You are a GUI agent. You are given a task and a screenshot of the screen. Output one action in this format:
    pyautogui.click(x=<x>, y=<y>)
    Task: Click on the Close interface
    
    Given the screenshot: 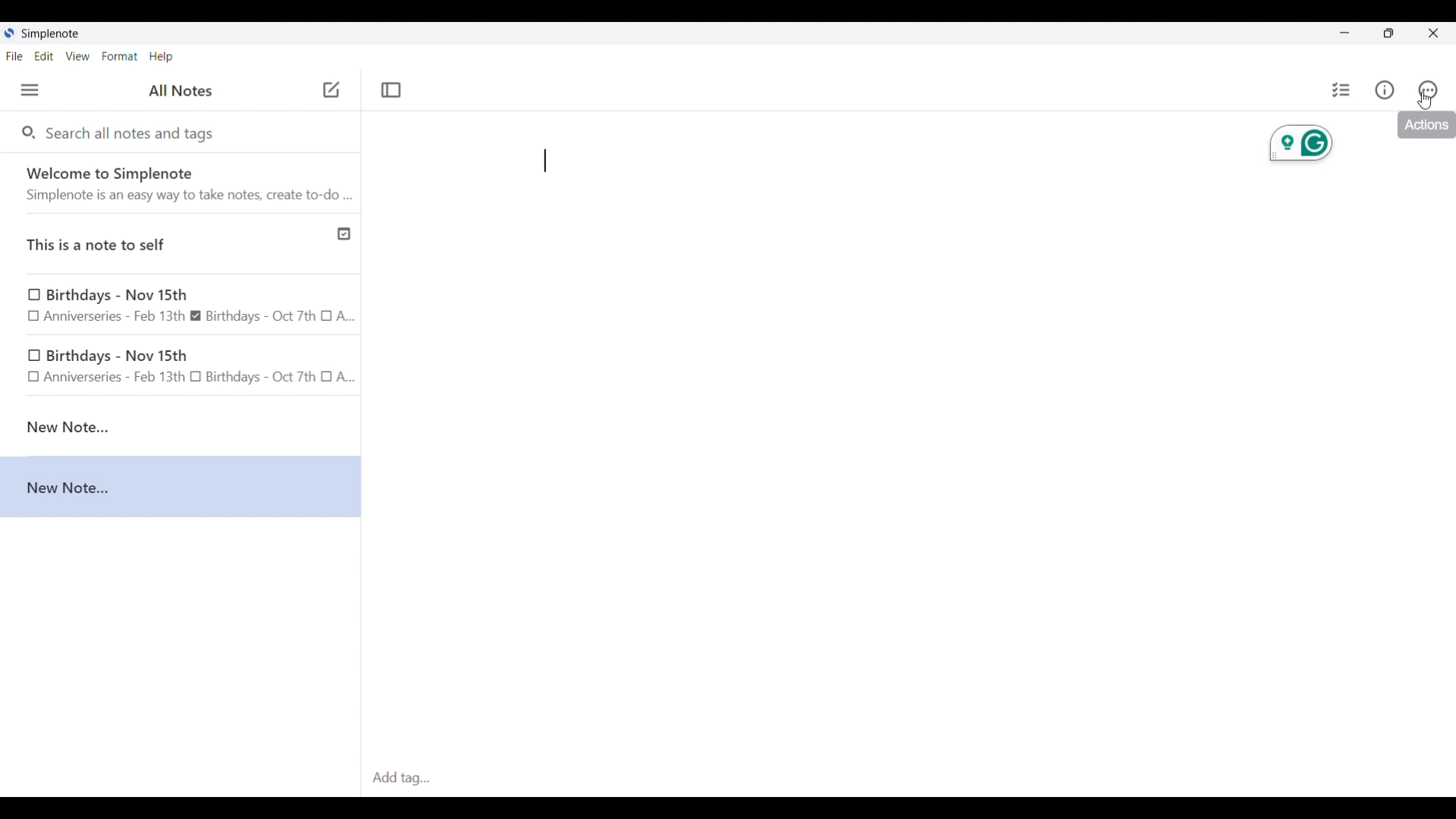 What is the action you would take?
    pyautogui.click(x=1433, y=33)
    